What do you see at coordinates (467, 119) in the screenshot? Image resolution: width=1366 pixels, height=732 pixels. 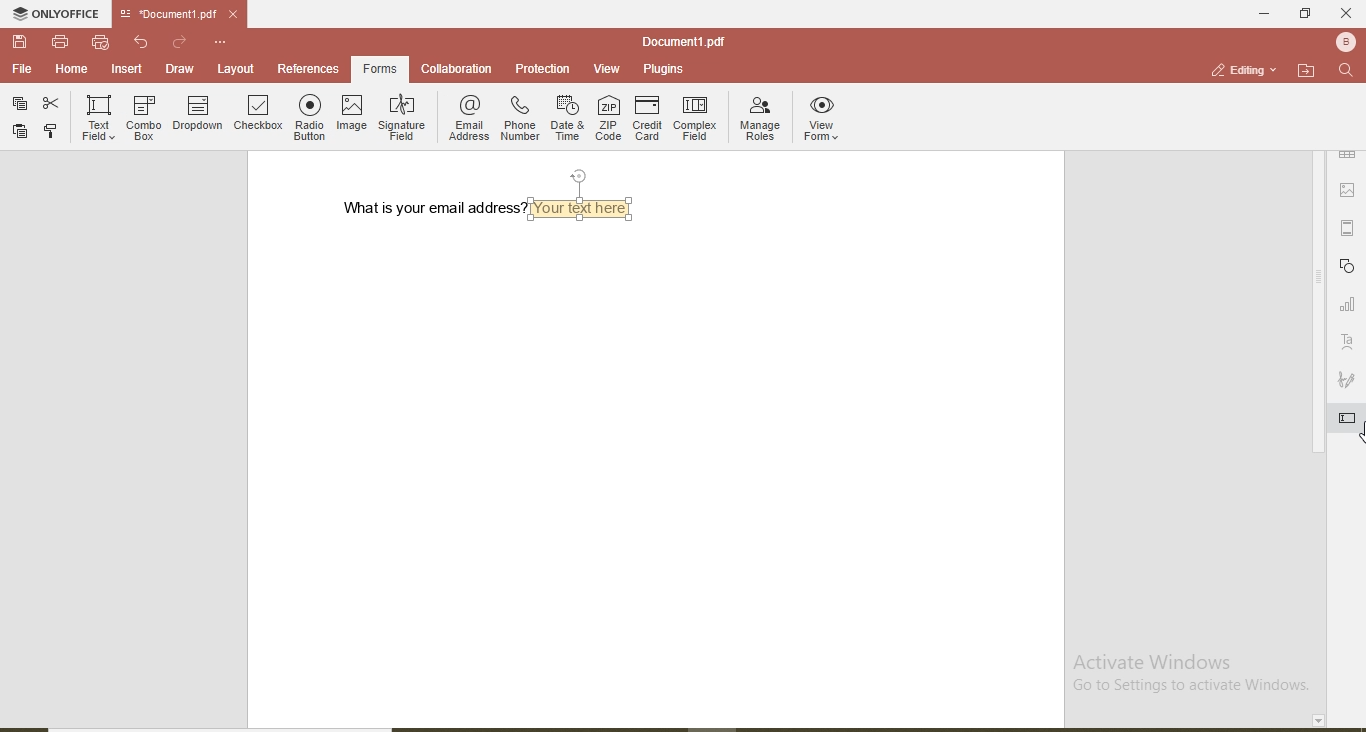 I see `email address` at bounding box center [467, 119].